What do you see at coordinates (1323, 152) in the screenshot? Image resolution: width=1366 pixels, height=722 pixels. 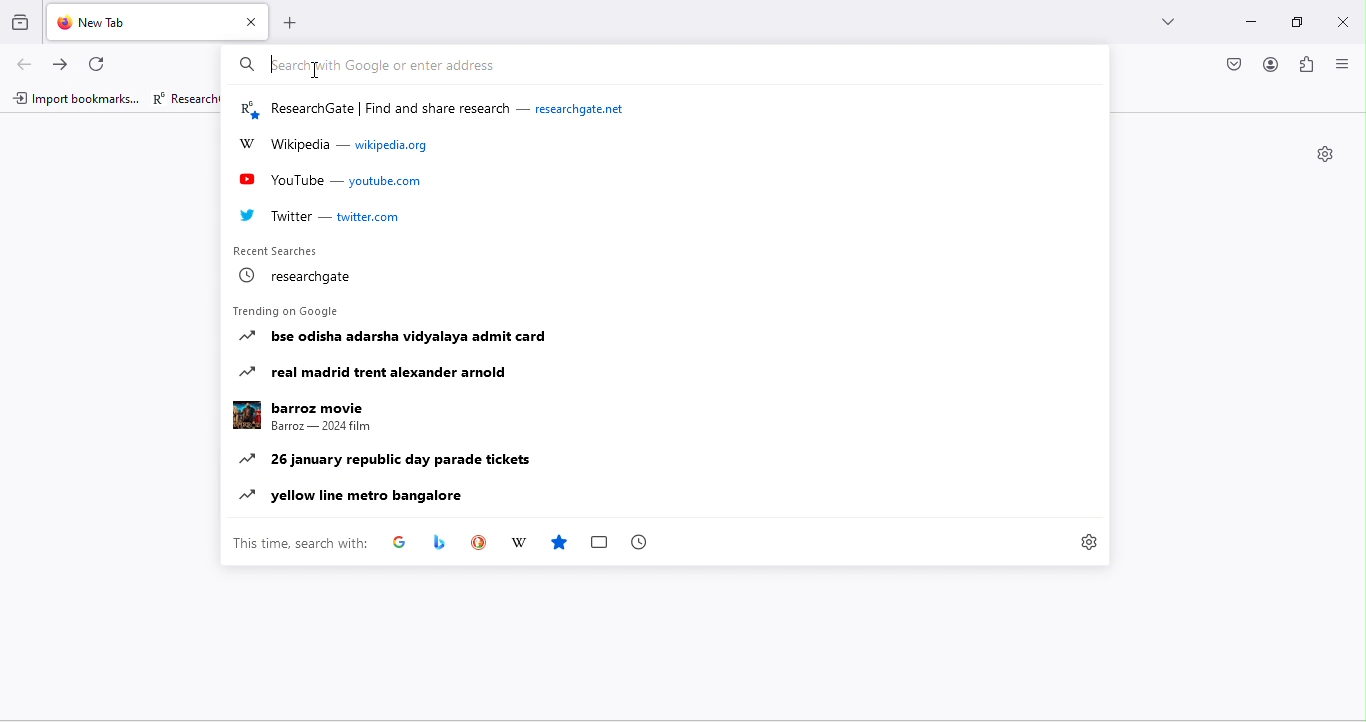 I see `settings` at bounding box center [1323, 152].